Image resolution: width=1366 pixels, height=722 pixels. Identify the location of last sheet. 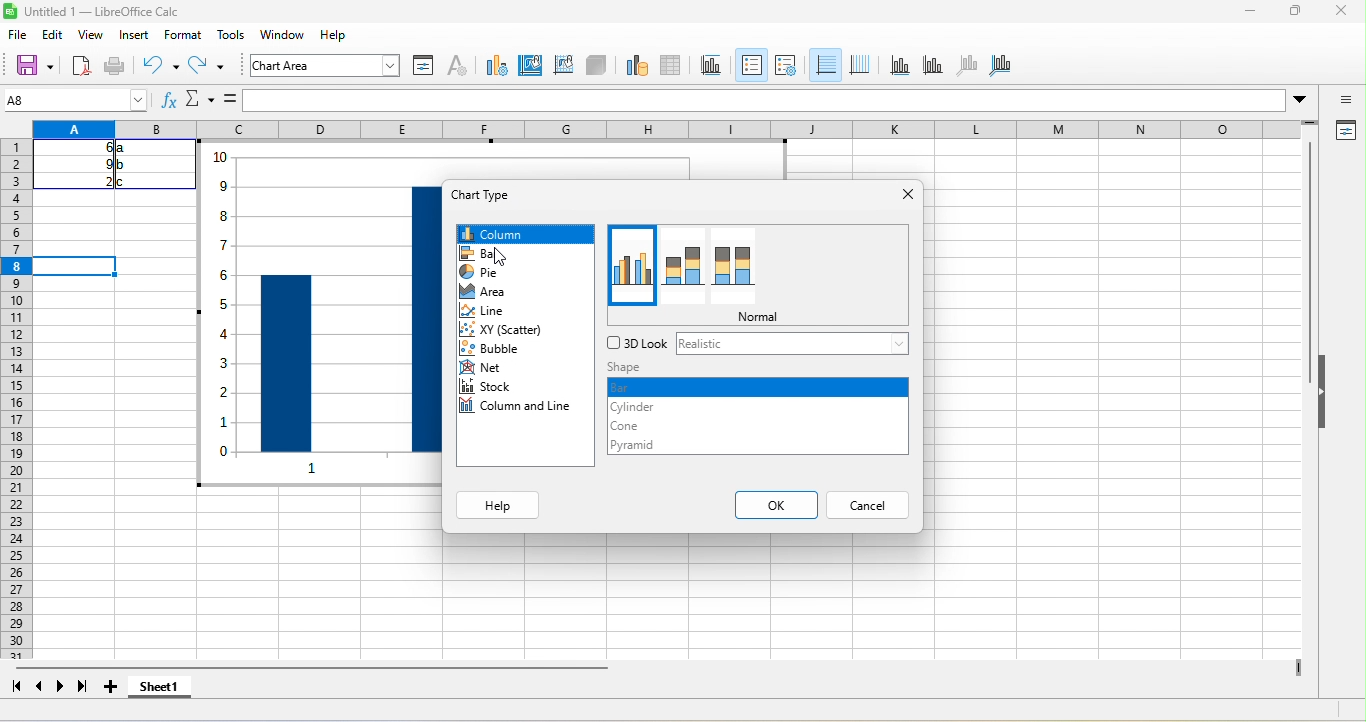
(82, 684).